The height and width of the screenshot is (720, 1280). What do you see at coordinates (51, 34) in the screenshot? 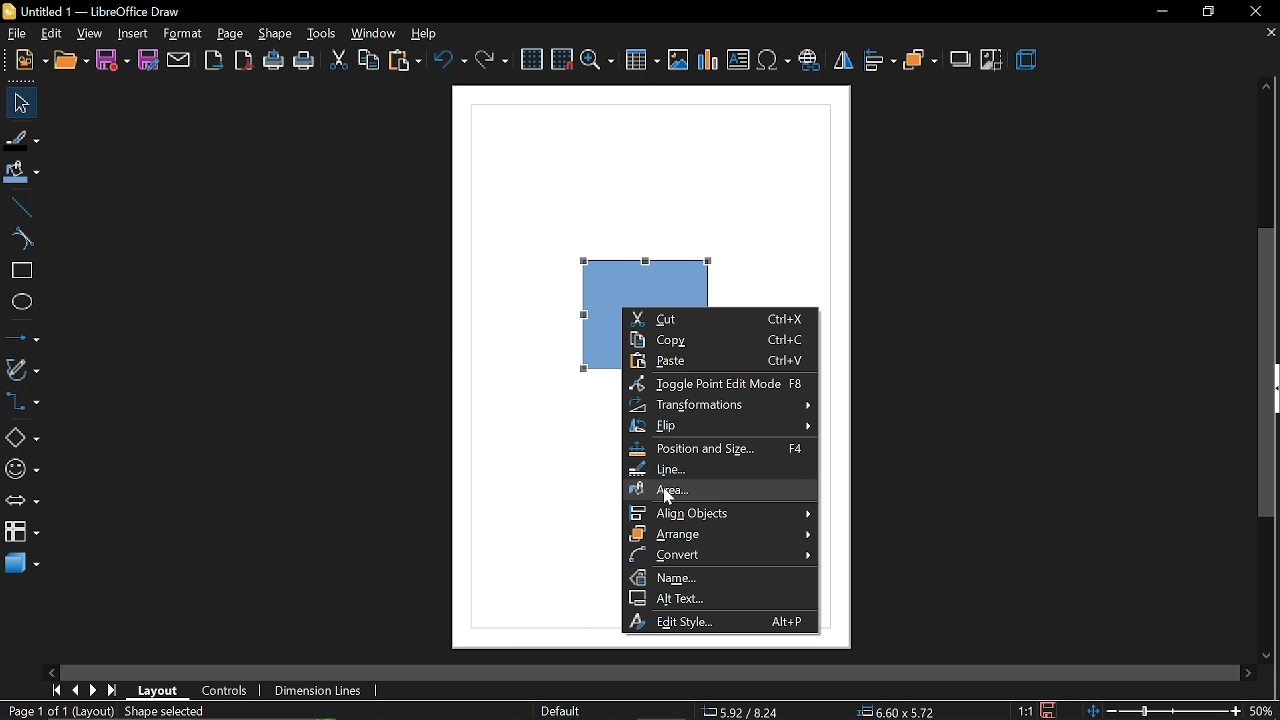
I see `edit` at bounding box center [51, 34].